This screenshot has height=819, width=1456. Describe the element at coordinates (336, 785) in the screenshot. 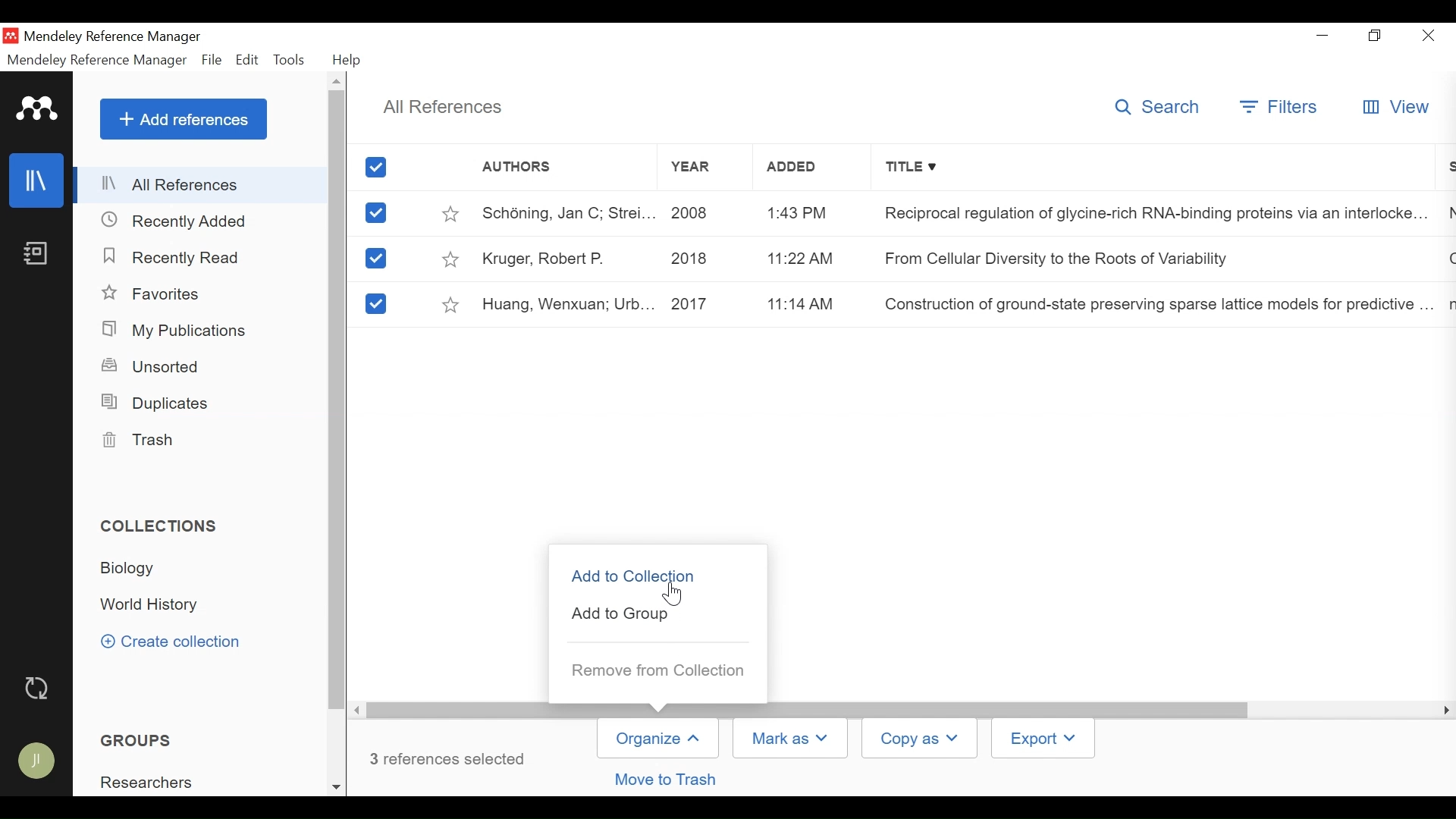

I see `Scroll down` at that location.